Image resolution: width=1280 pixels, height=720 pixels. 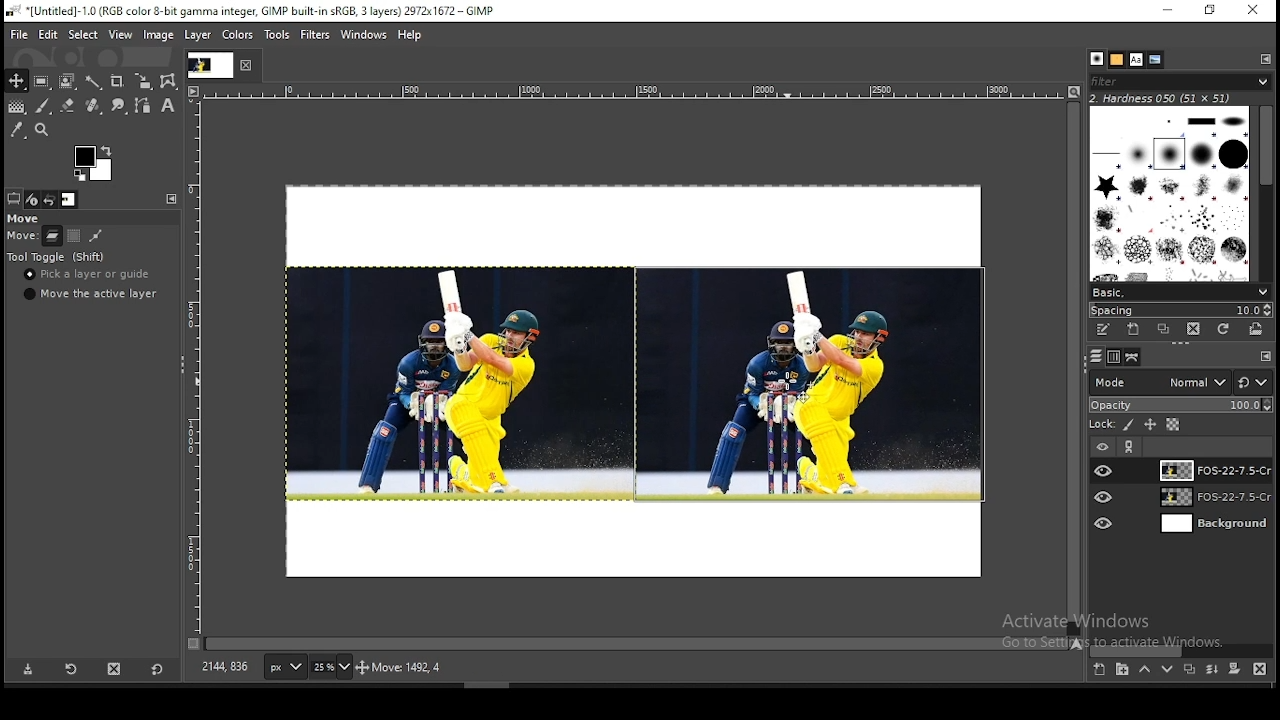 I want to click on channels, so click(x=1112, y=358).